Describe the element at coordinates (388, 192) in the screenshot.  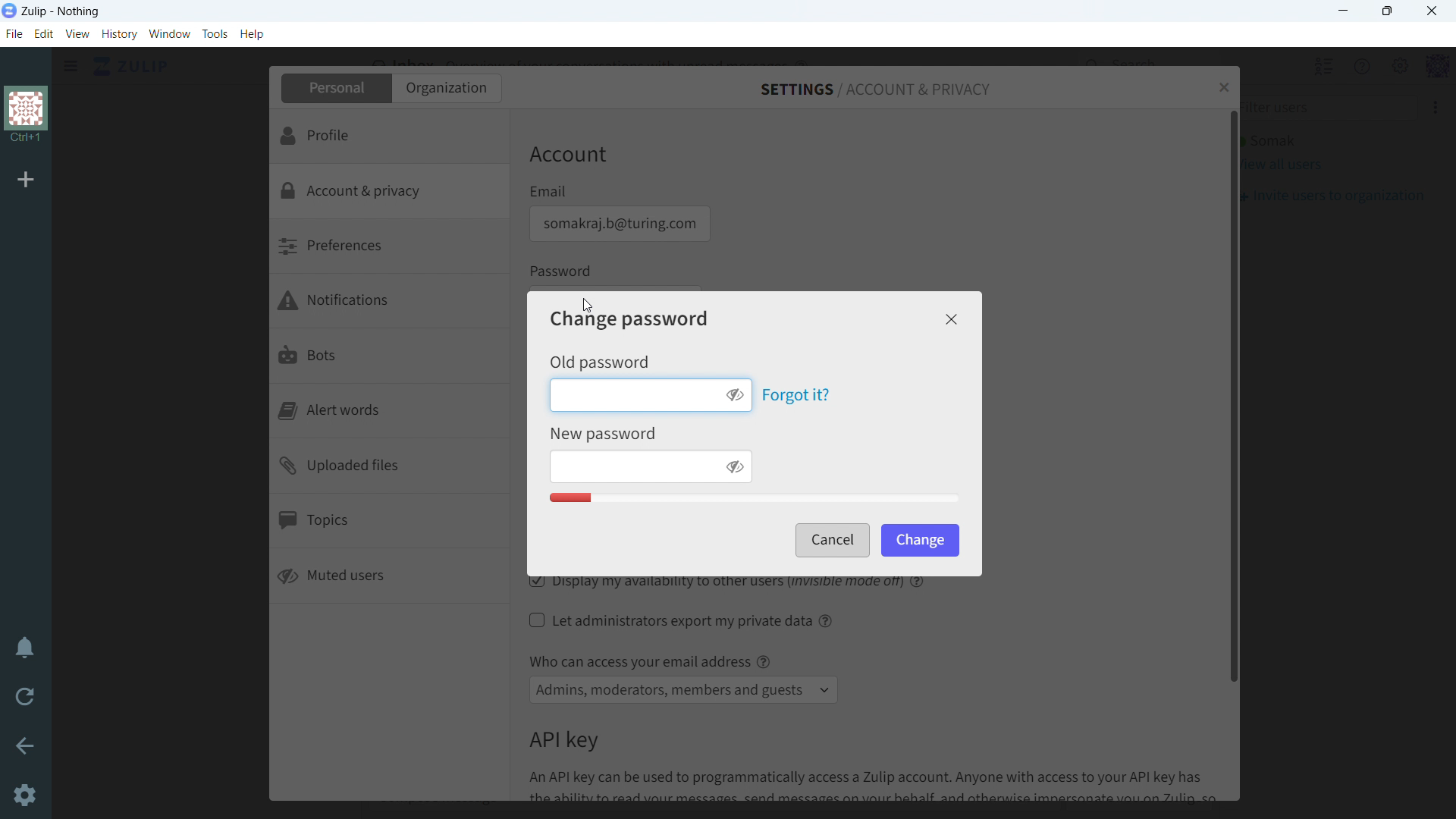
I see `account & privacy selected` at that location.